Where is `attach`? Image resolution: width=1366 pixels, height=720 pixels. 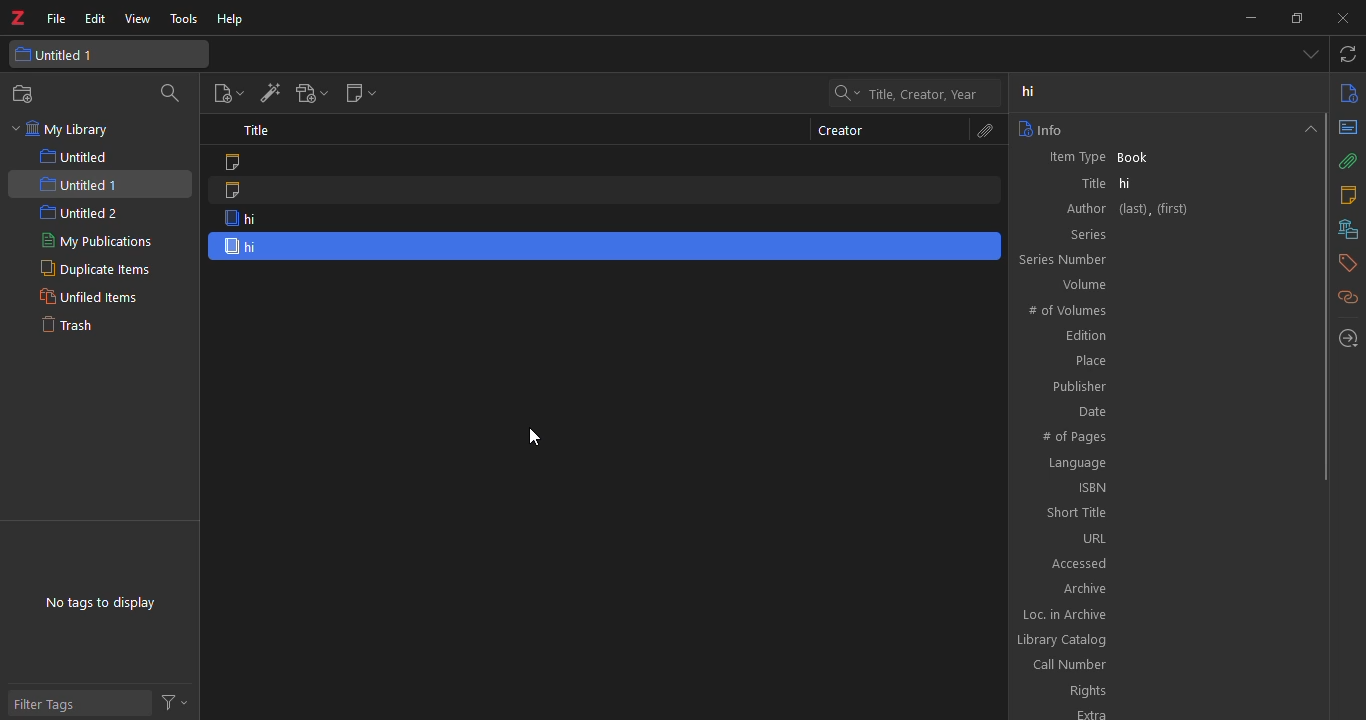
attach is located at coordinates (982, 130).